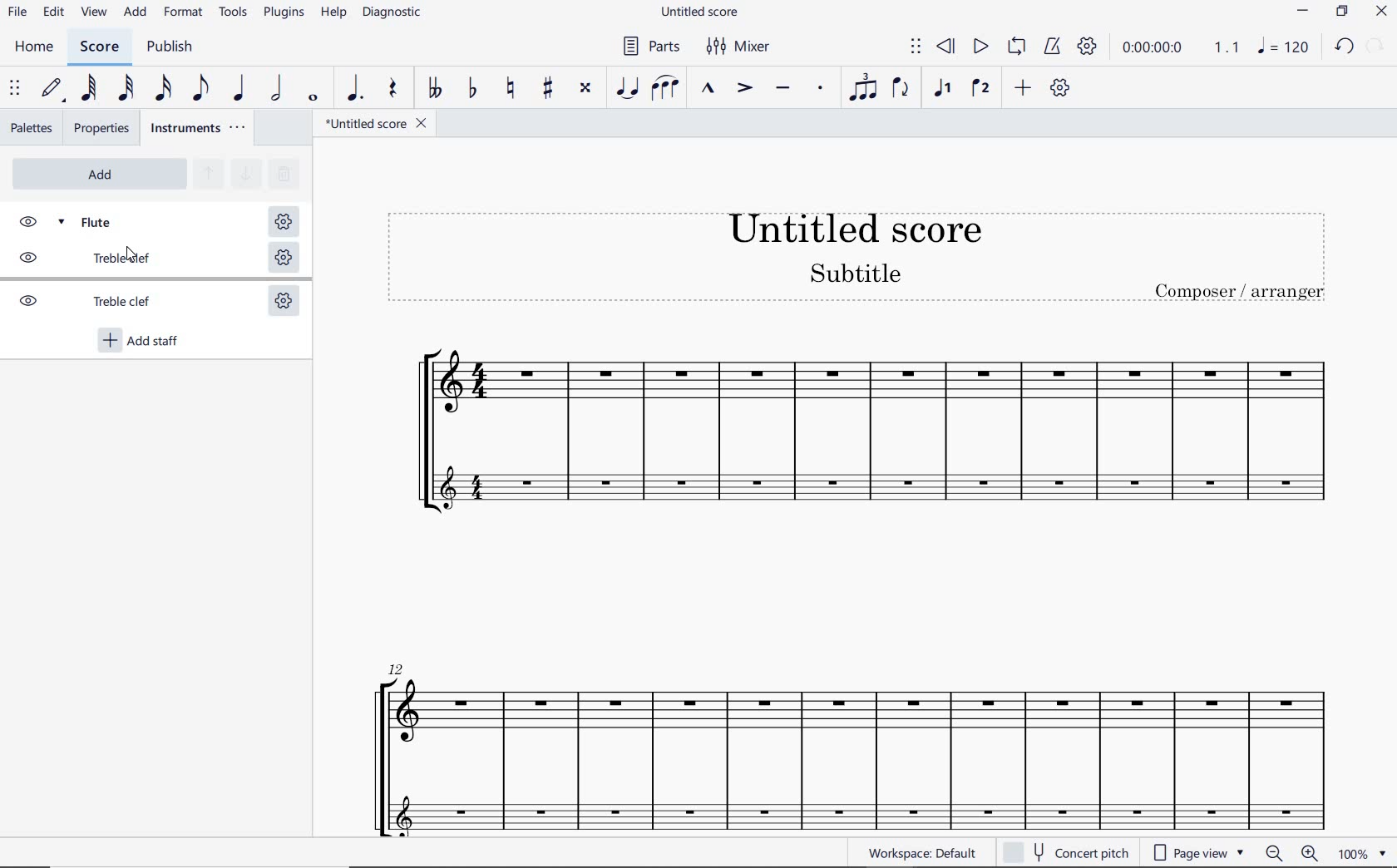 The width and height of the screenshot is (1397, 868). Describe the element at coordinates (1360, 854) in the screenshot. I see `zoom factor` at that location.